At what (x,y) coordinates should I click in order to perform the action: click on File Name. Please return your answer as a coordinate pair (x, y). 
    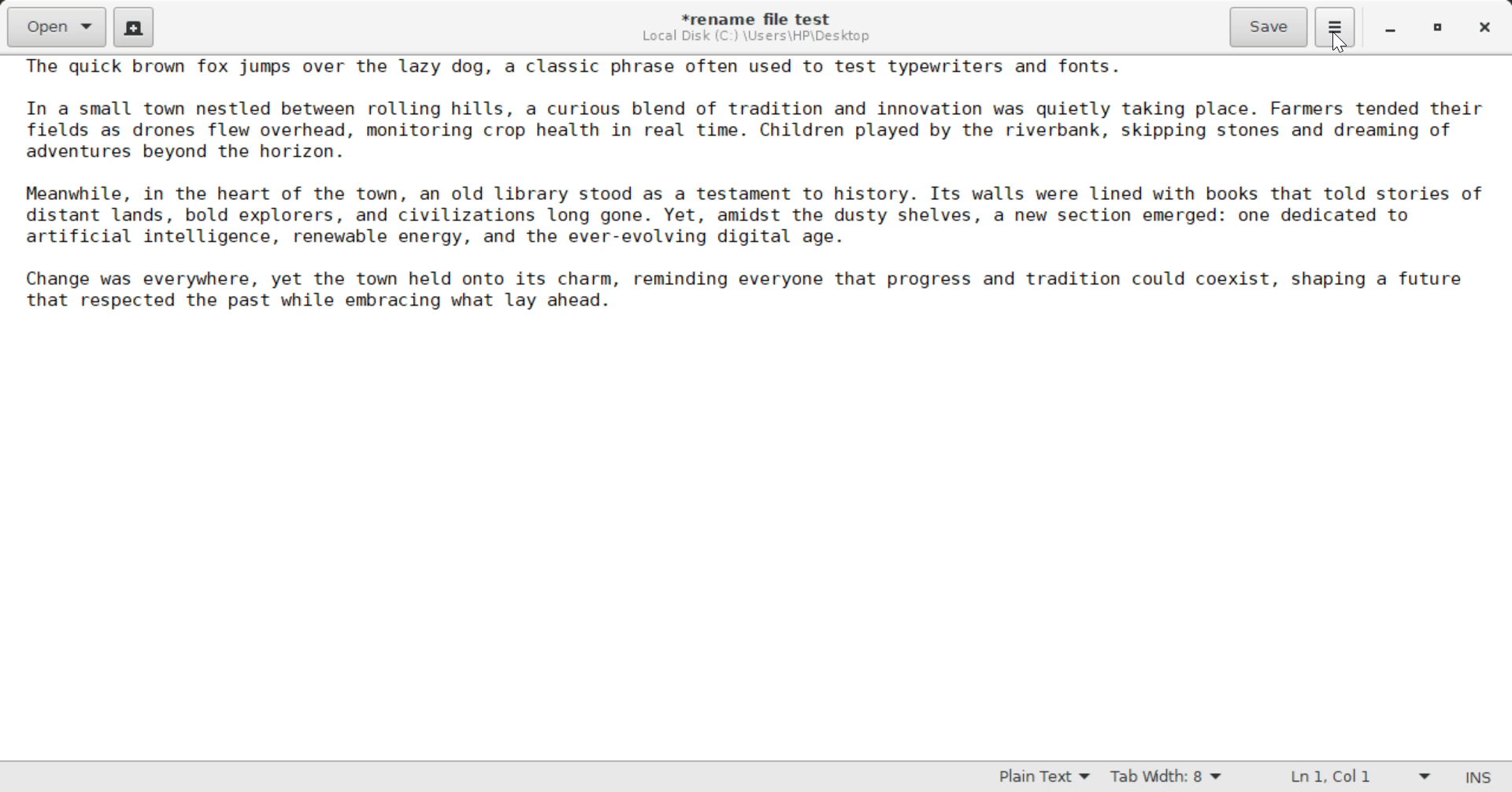
    Looking at the image, I should click on (755, 17).